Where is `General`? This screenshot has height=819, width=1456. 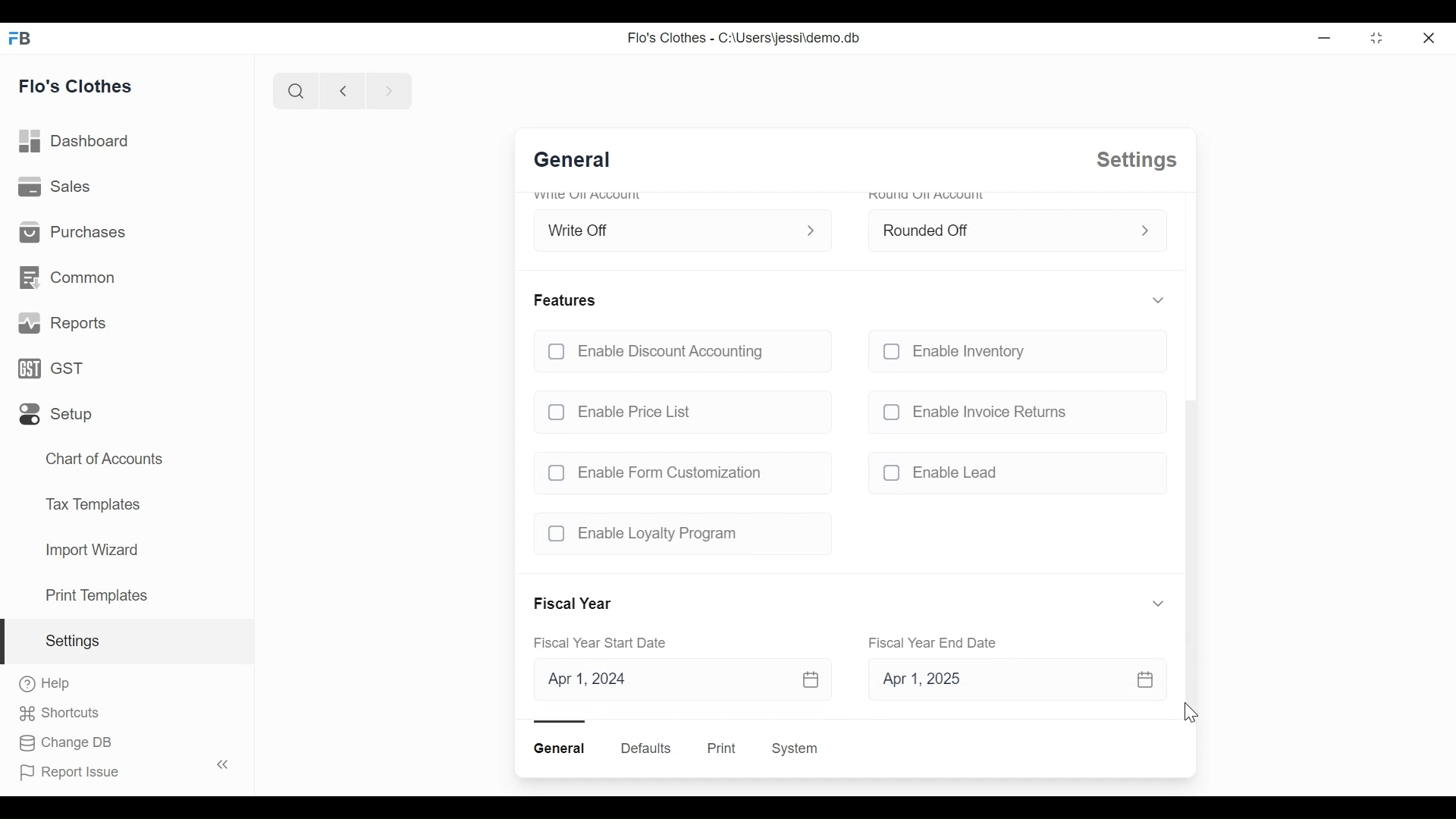 General is located at coordinates (562, 748).